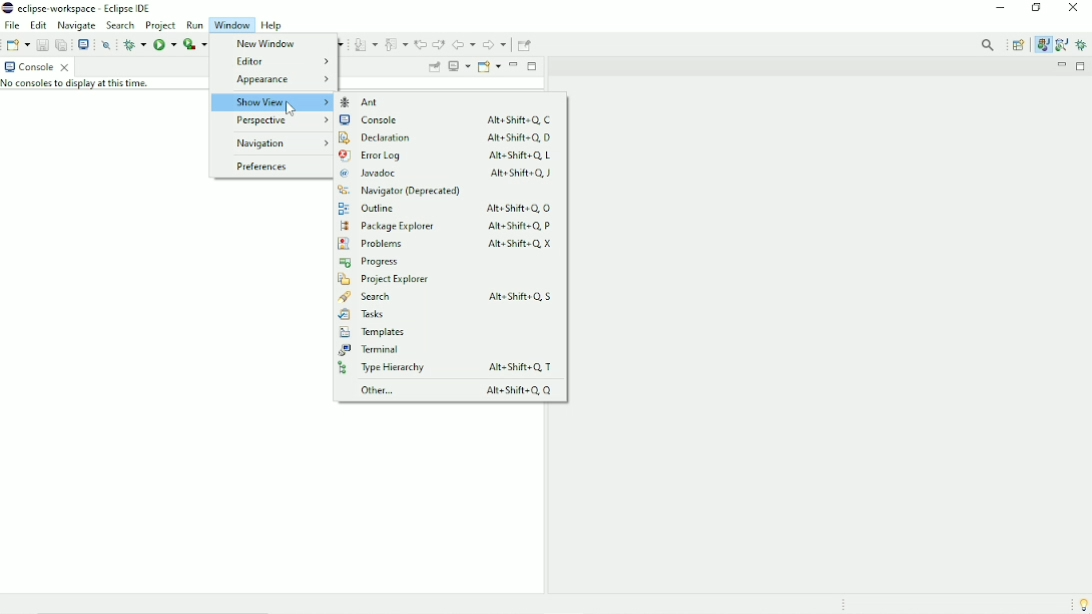 The width and height of the screenshot is (1092, 614). What do you see at coordinates (271, 102) in the screenshot?
I see `Show View` at bounding box center [271, 102].